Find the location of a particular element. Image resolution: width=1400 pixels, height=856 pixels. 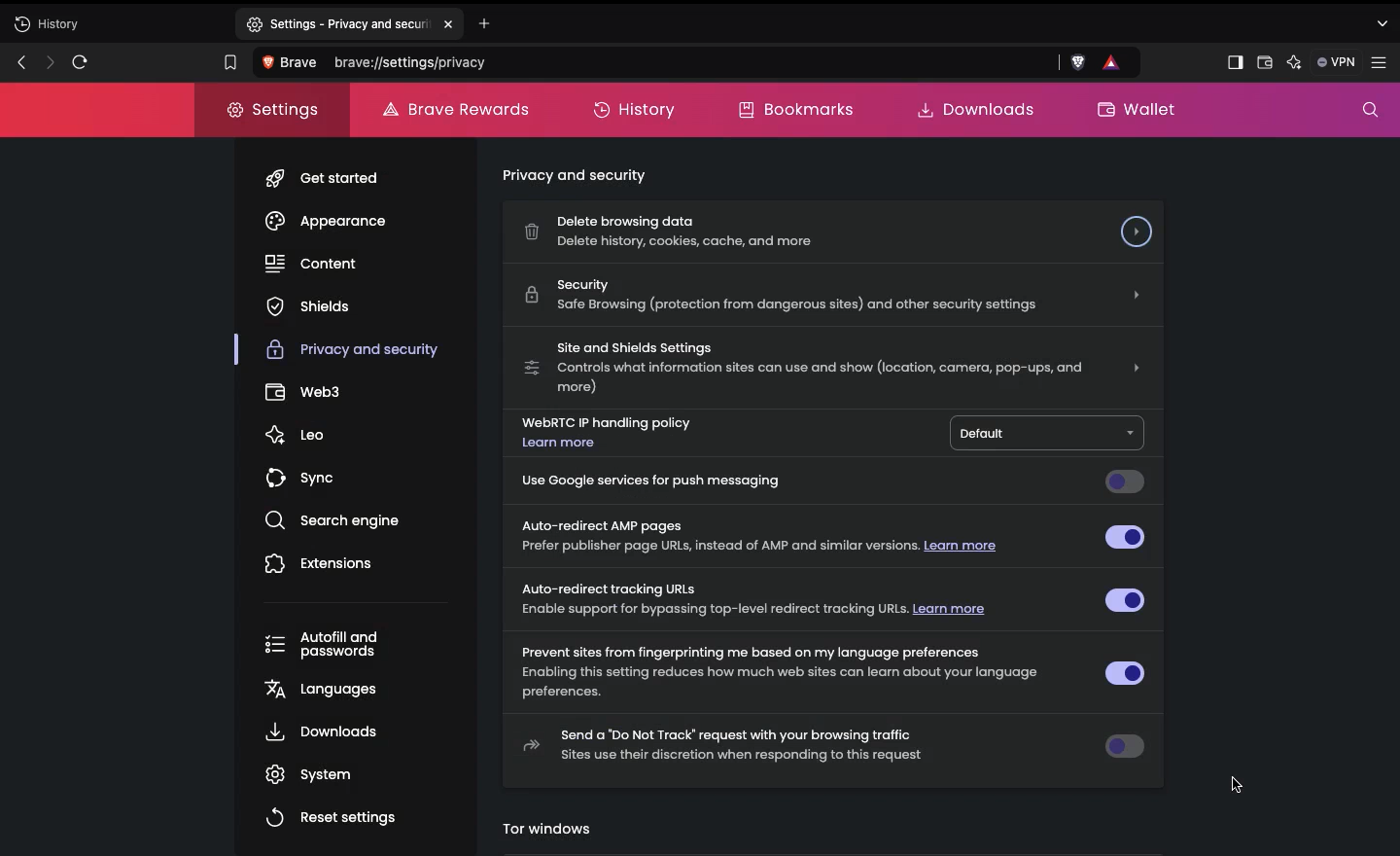

Sidebar is located at coordinates (1233, 62).